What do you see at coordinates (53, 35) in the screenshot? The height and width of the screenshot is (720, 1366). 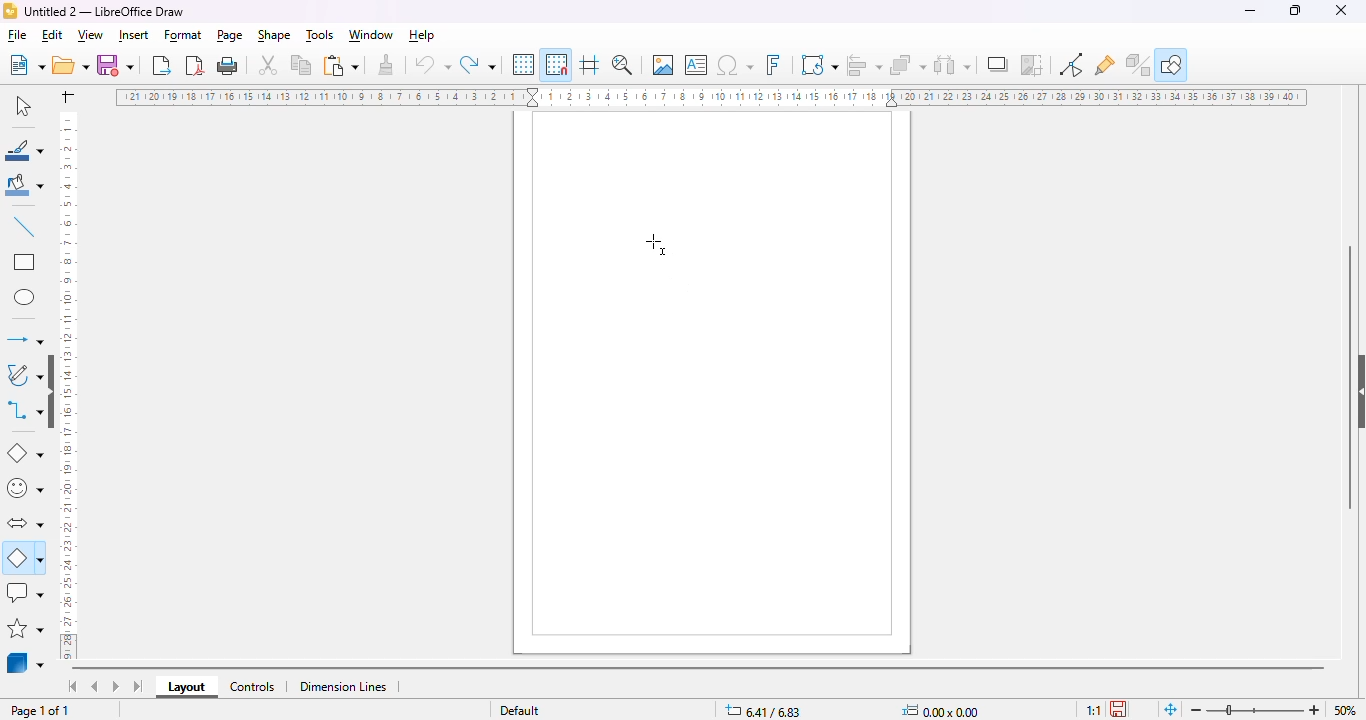 I see `edit` at bounding box center [53, 35].